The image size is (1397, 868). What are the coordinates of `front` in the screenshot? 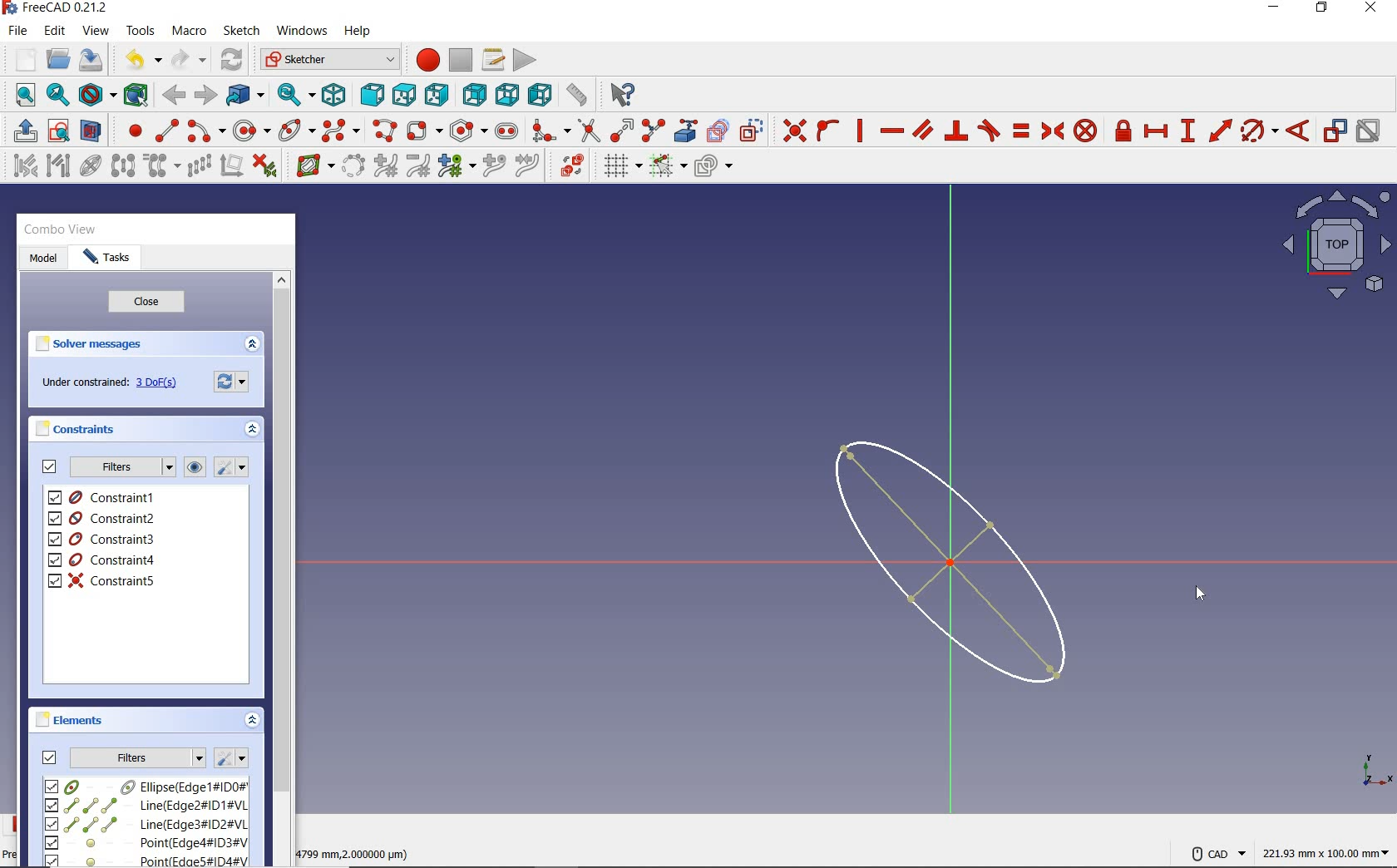 It's located at (368, 95).